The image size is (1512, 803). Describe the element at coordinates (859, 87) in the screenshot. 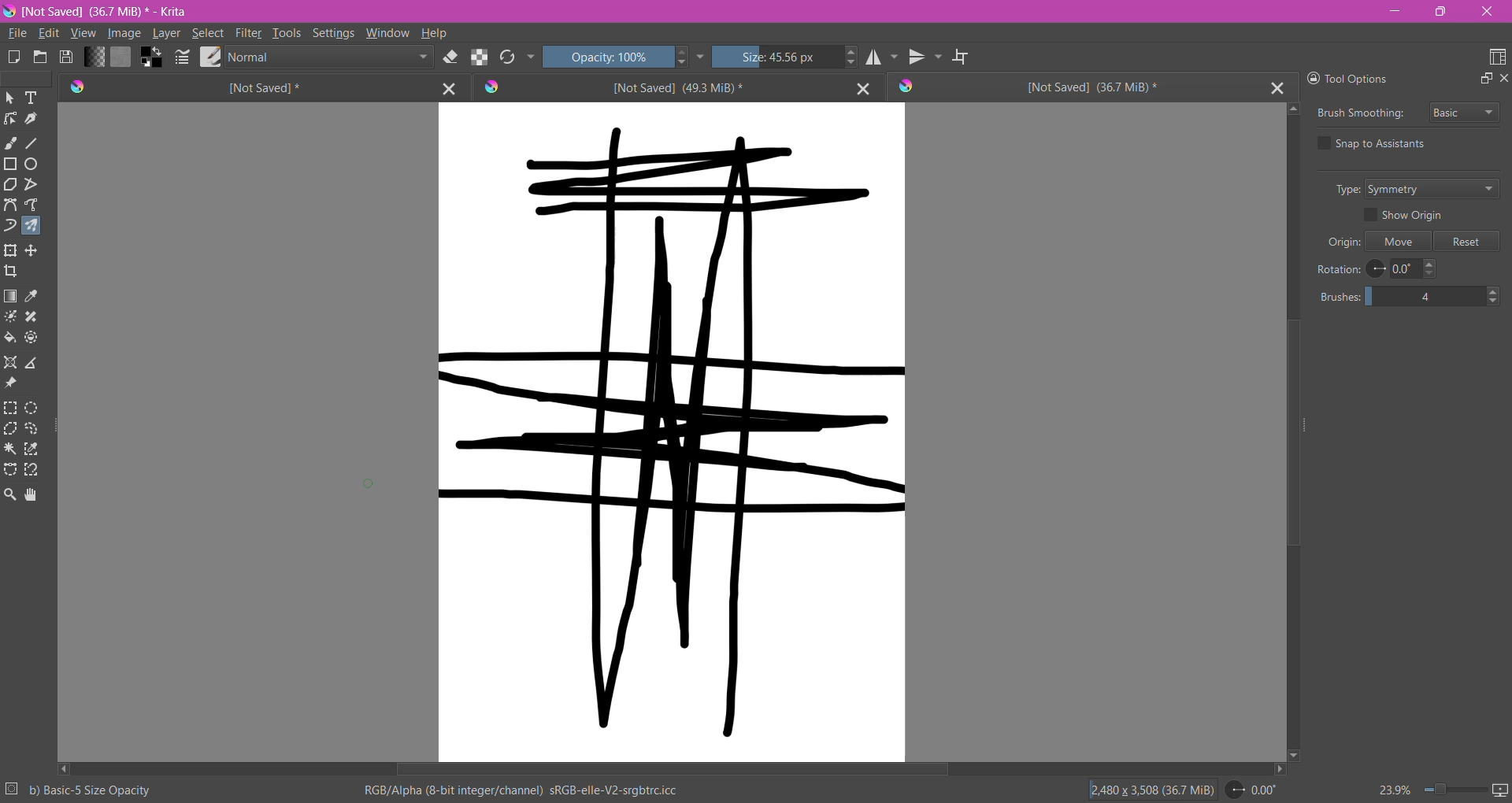

I see `Close Tab` at that location.